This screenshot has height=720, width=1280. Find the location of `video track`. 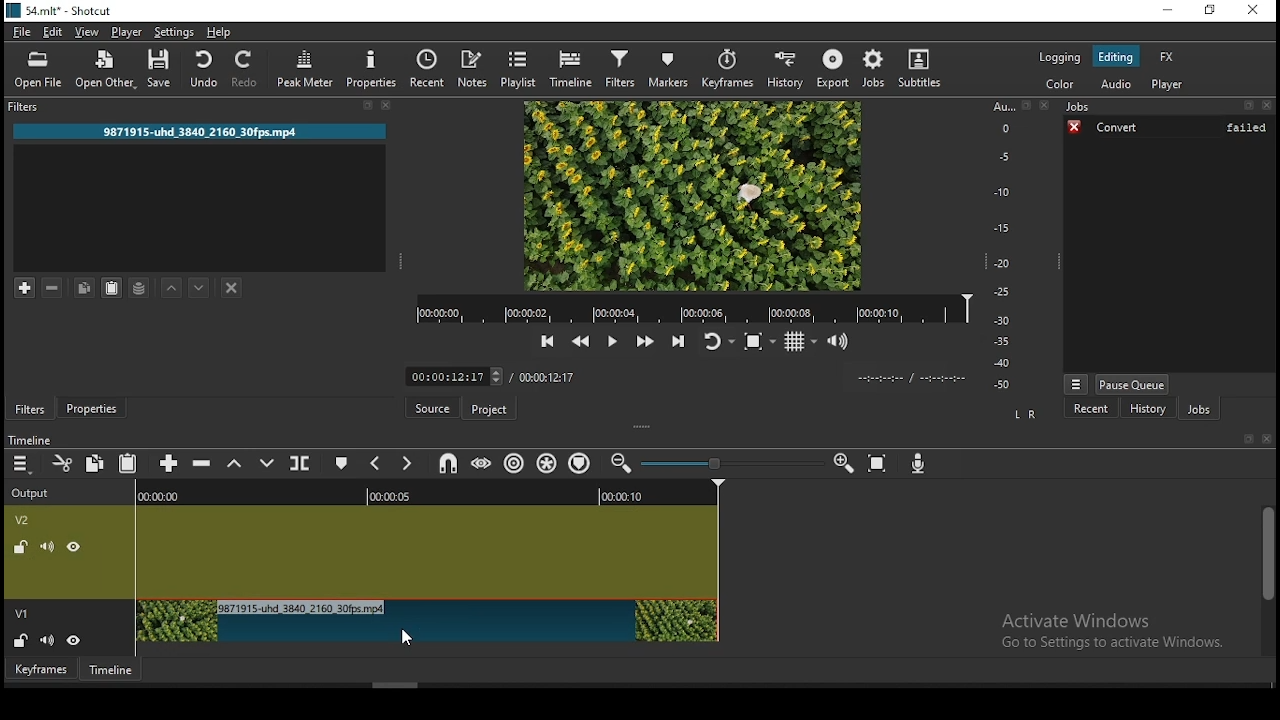

video track is located at coordinates (429, 549).